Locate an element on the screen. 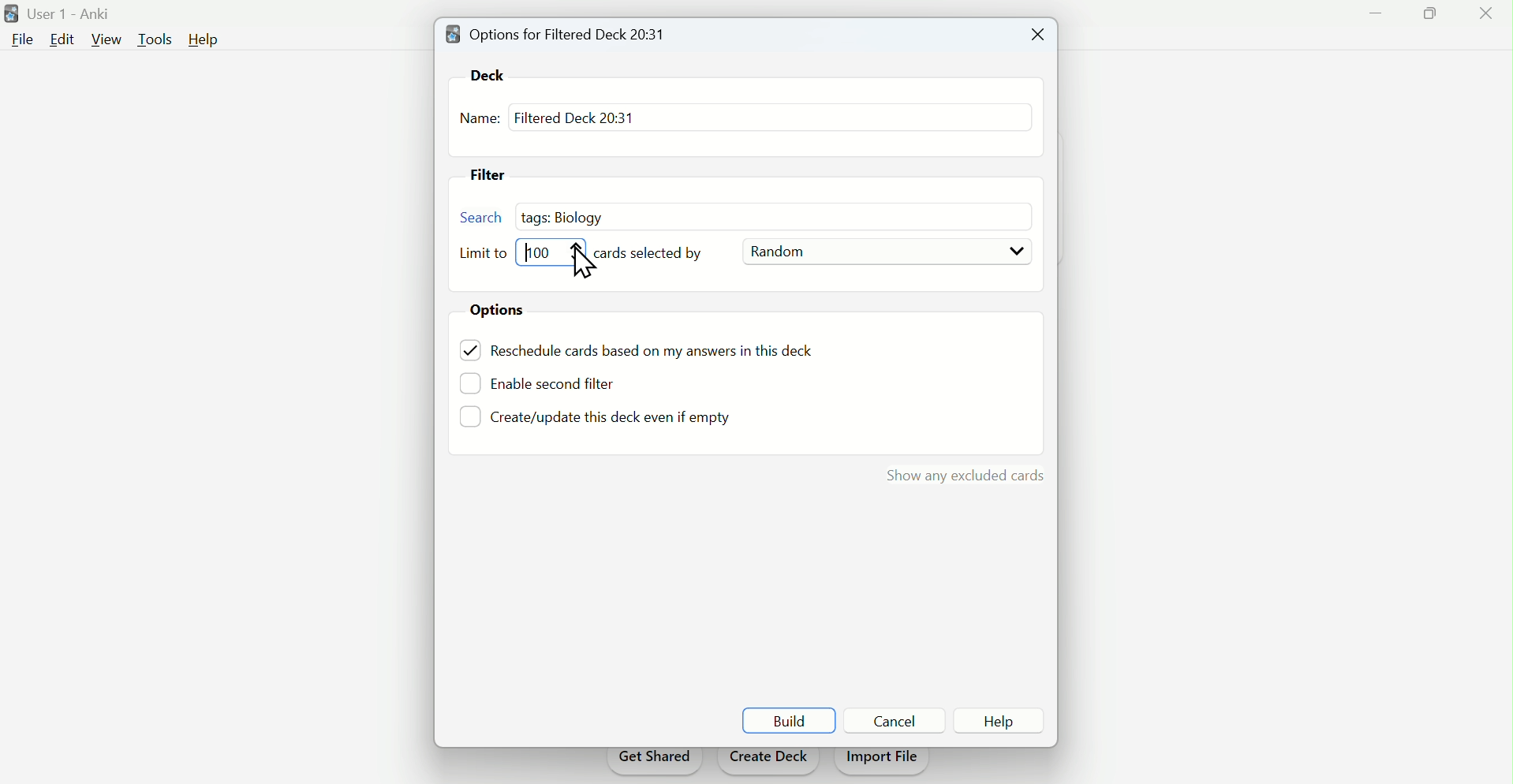 Image resolution: width=1513 pixels, height=784 pixels. Filtered deck 20: 31 is located at coordinates (573, 117).